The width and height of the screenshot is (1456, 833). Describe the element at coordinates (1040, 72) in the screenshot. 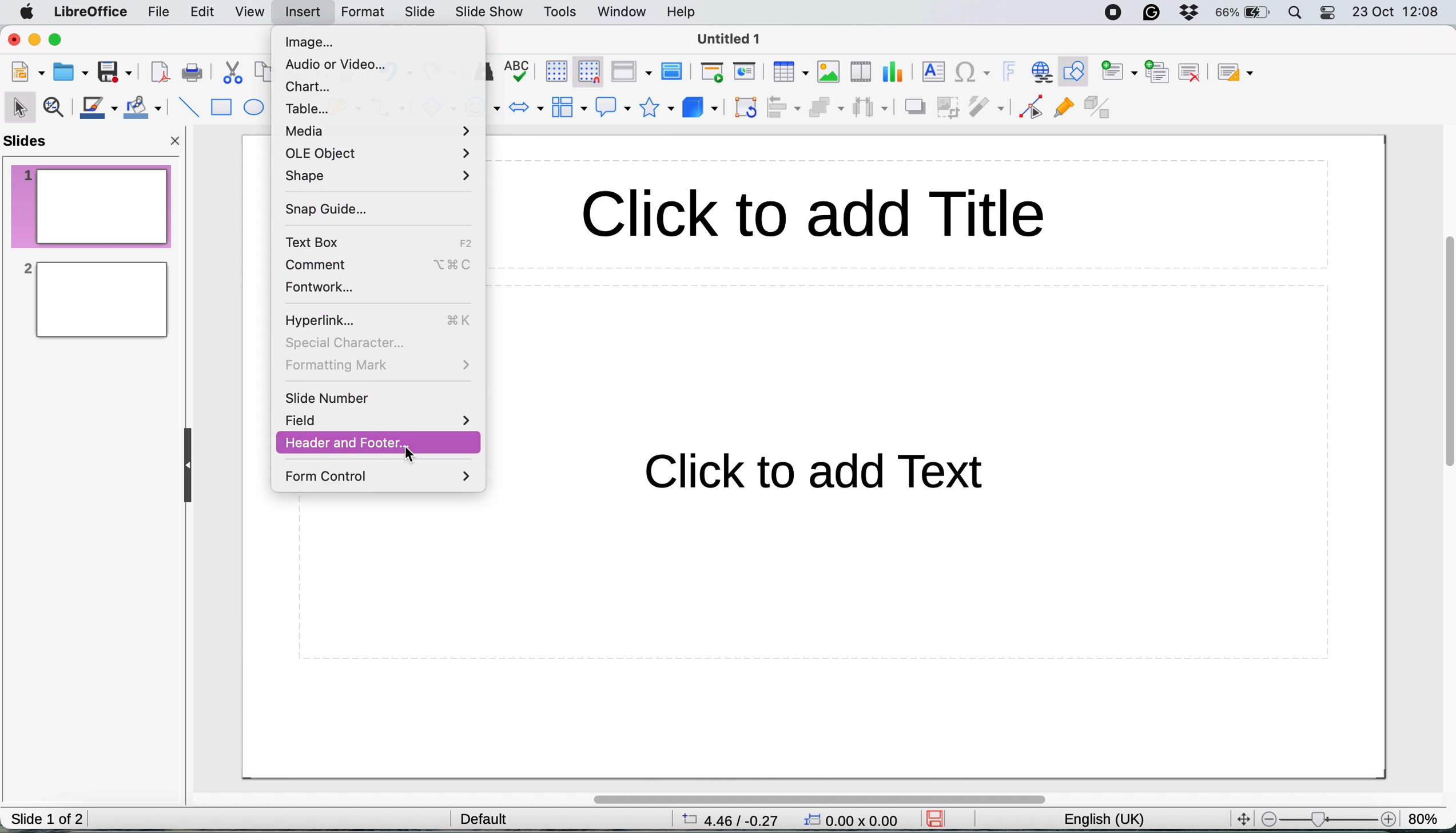

I see `insert hyperlink` at that location.